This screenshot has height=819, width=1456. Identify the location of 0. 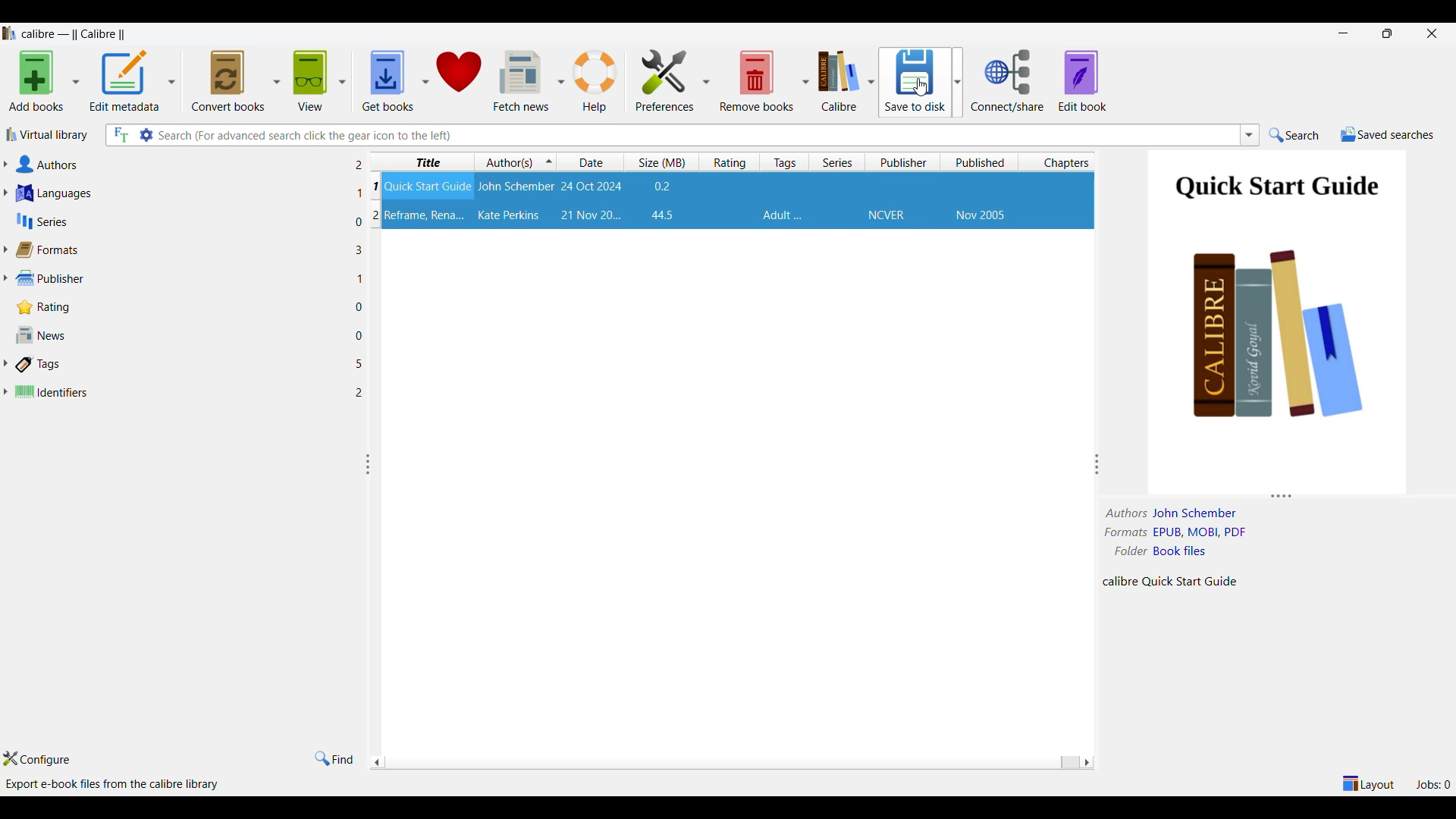
(354, 224).